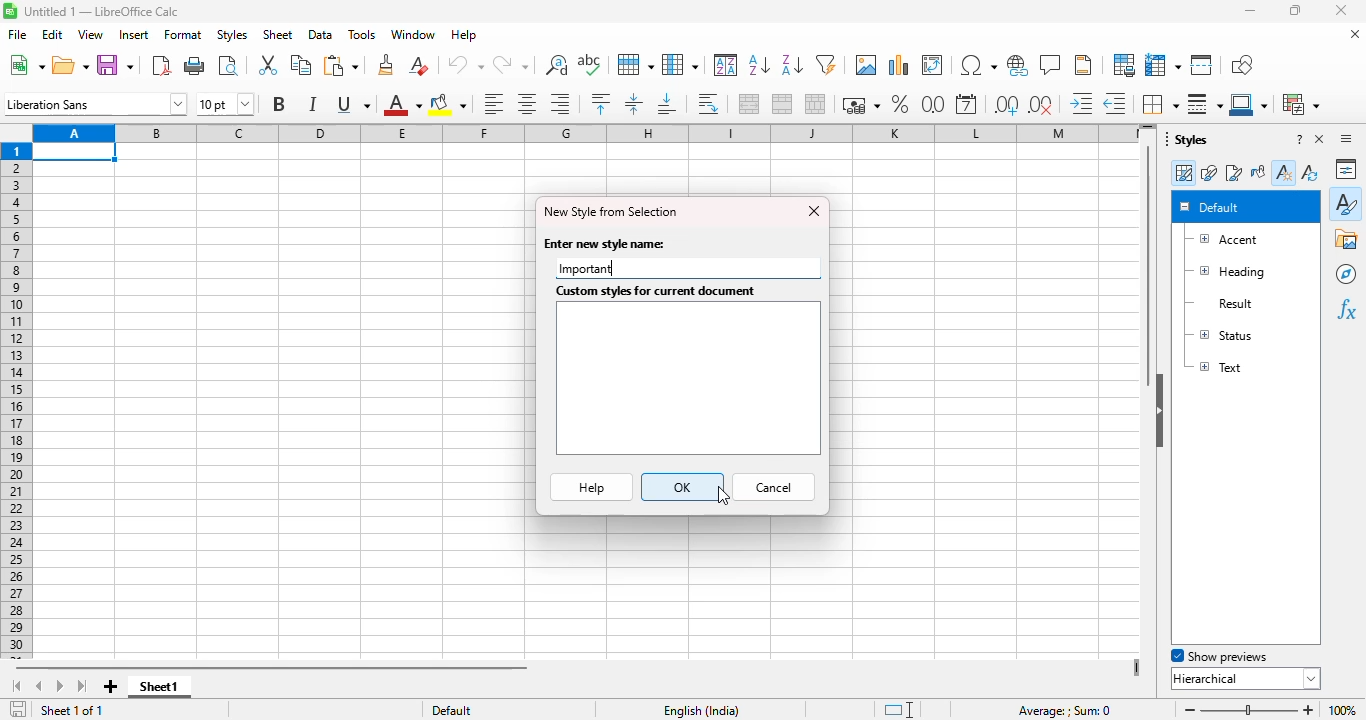 This screenshot has width=1366, height=720. I want to click on vertical scroll bar, so click(1149, 266).